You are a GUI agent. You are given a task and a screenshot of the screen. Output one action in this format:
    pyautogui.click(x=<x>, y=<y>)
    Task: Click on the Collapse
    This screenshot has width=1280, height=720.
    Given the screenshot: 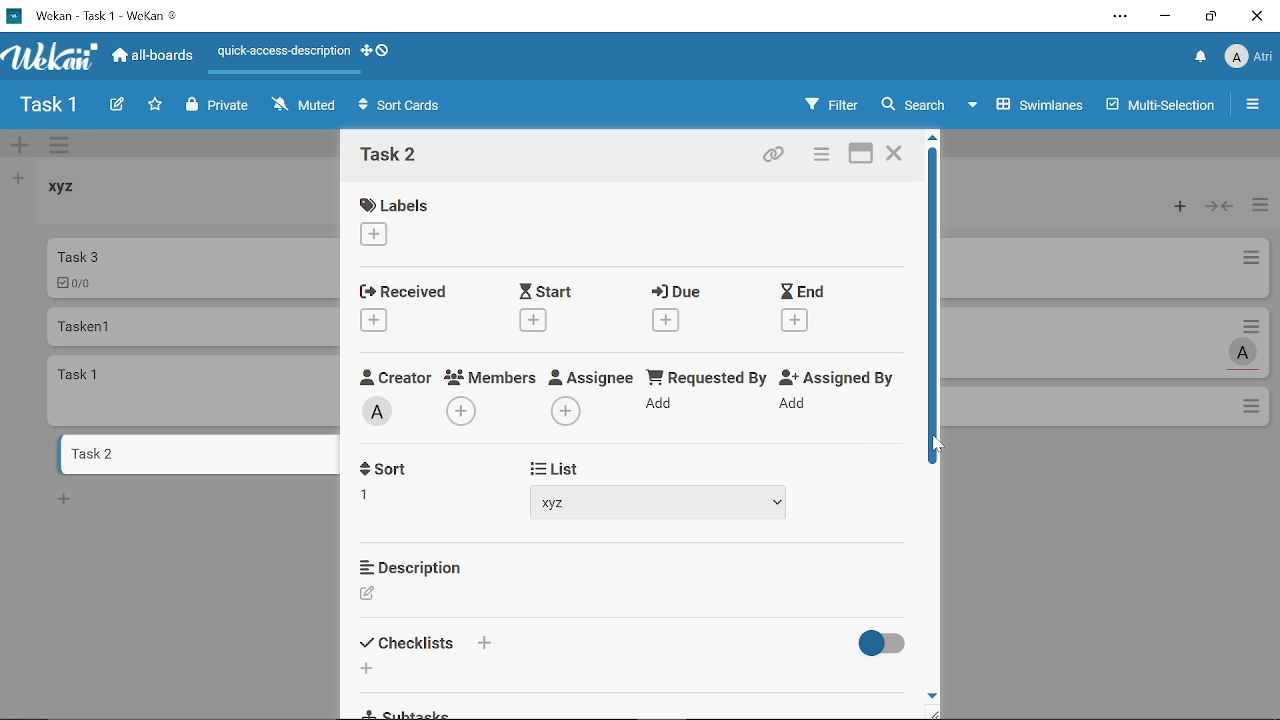 What is the action you would take?
    pyautogui.click(x=1221, y=207)
    